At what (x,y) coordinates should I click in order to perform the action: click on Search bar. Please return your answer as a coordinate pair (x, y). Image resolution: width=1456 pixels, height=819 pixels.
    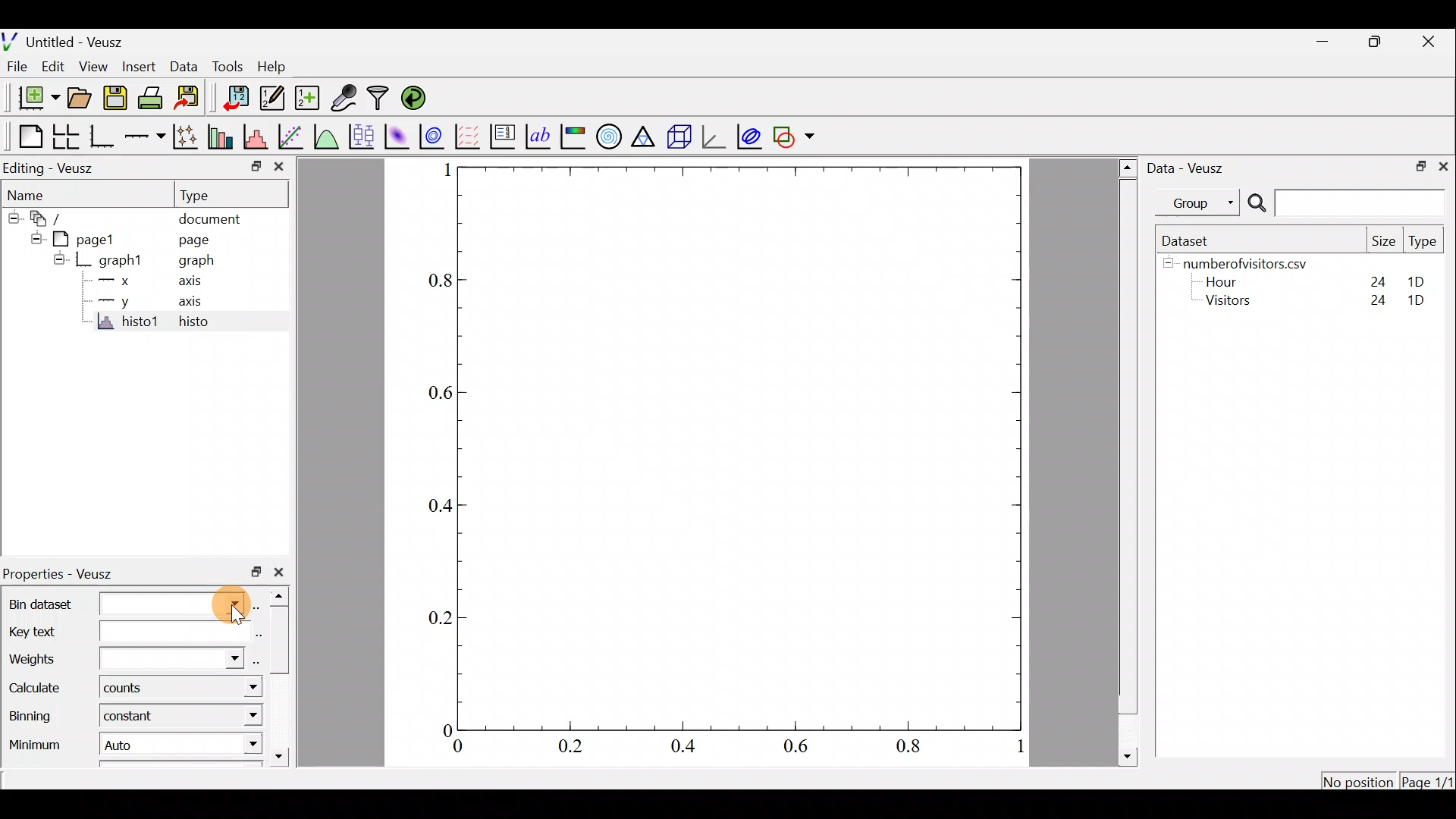
    Looking at the image, I should click on (1346, 203).